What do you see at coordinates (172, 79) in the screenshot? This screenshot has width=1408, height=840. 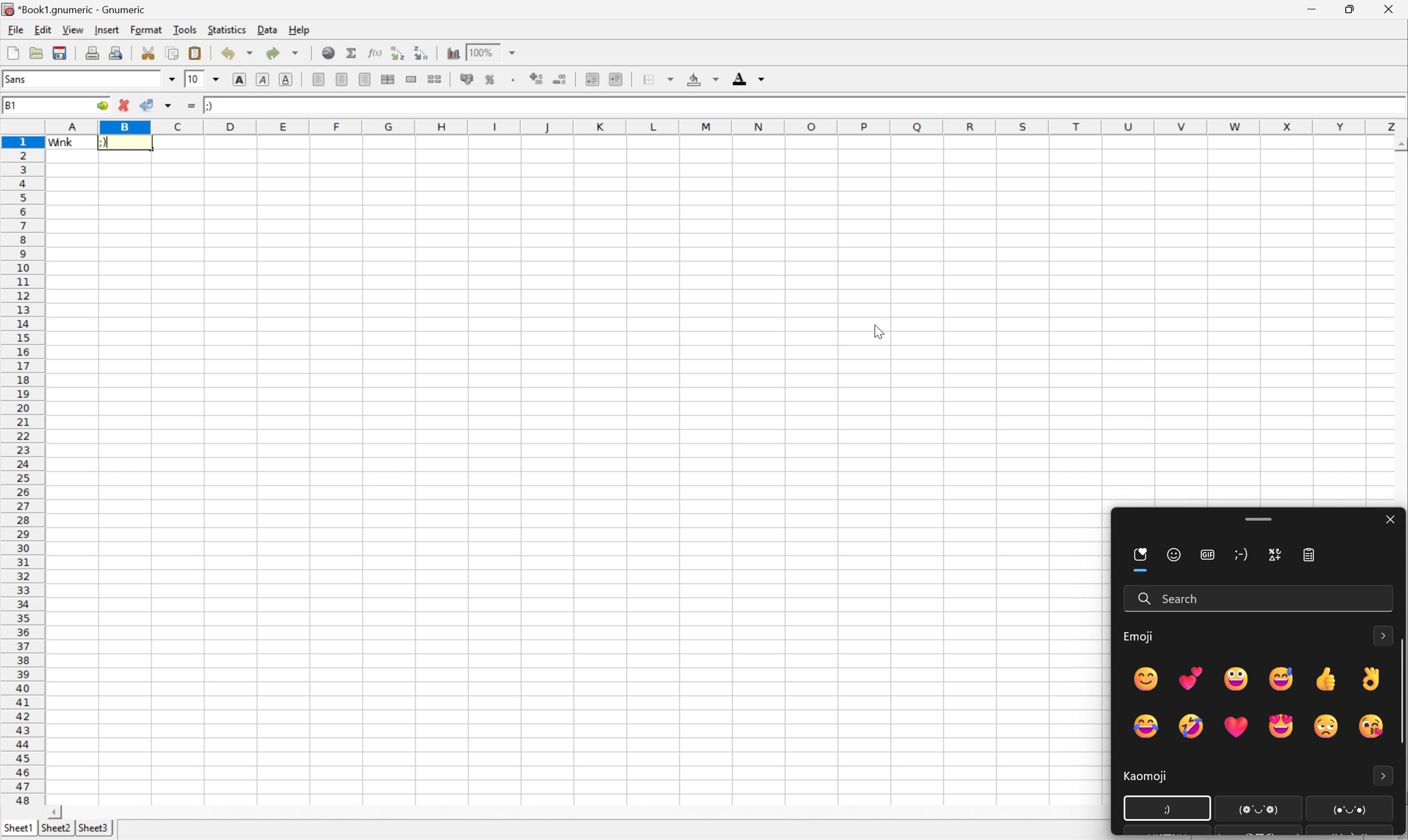 I see `drop down` at bounding box center [172, 79].